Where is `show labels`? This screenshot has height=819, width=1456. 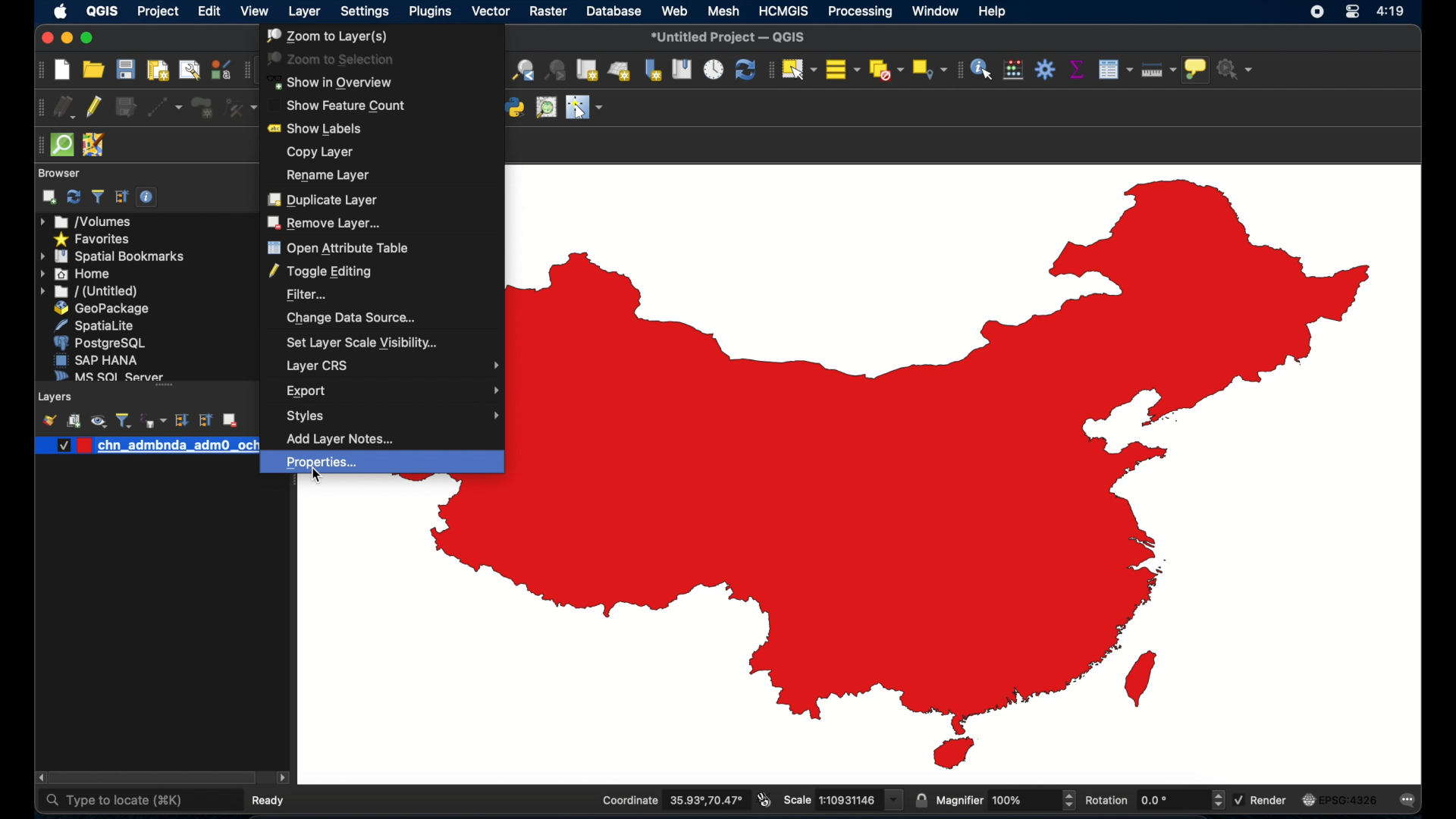 show labels is located at coordinates (318, 129).